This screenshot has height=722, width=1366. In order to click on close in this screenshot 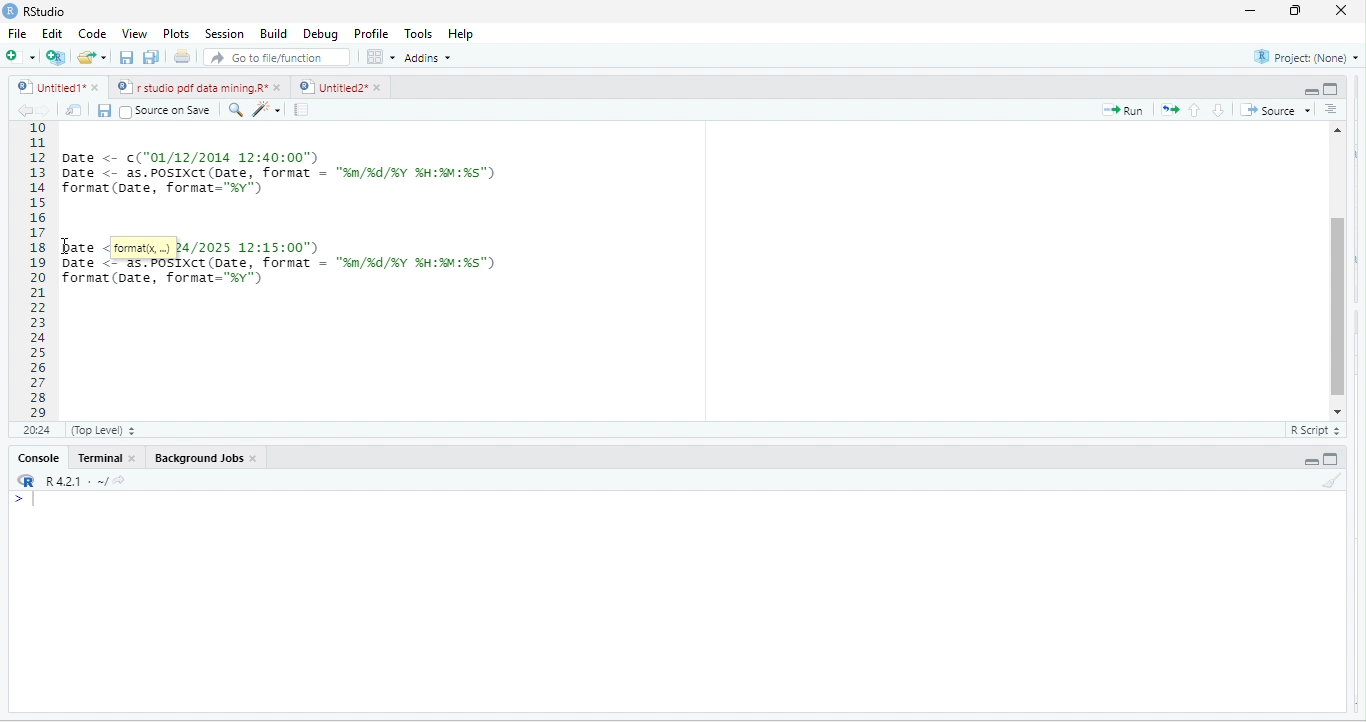, I will do `click(137, 461)`.